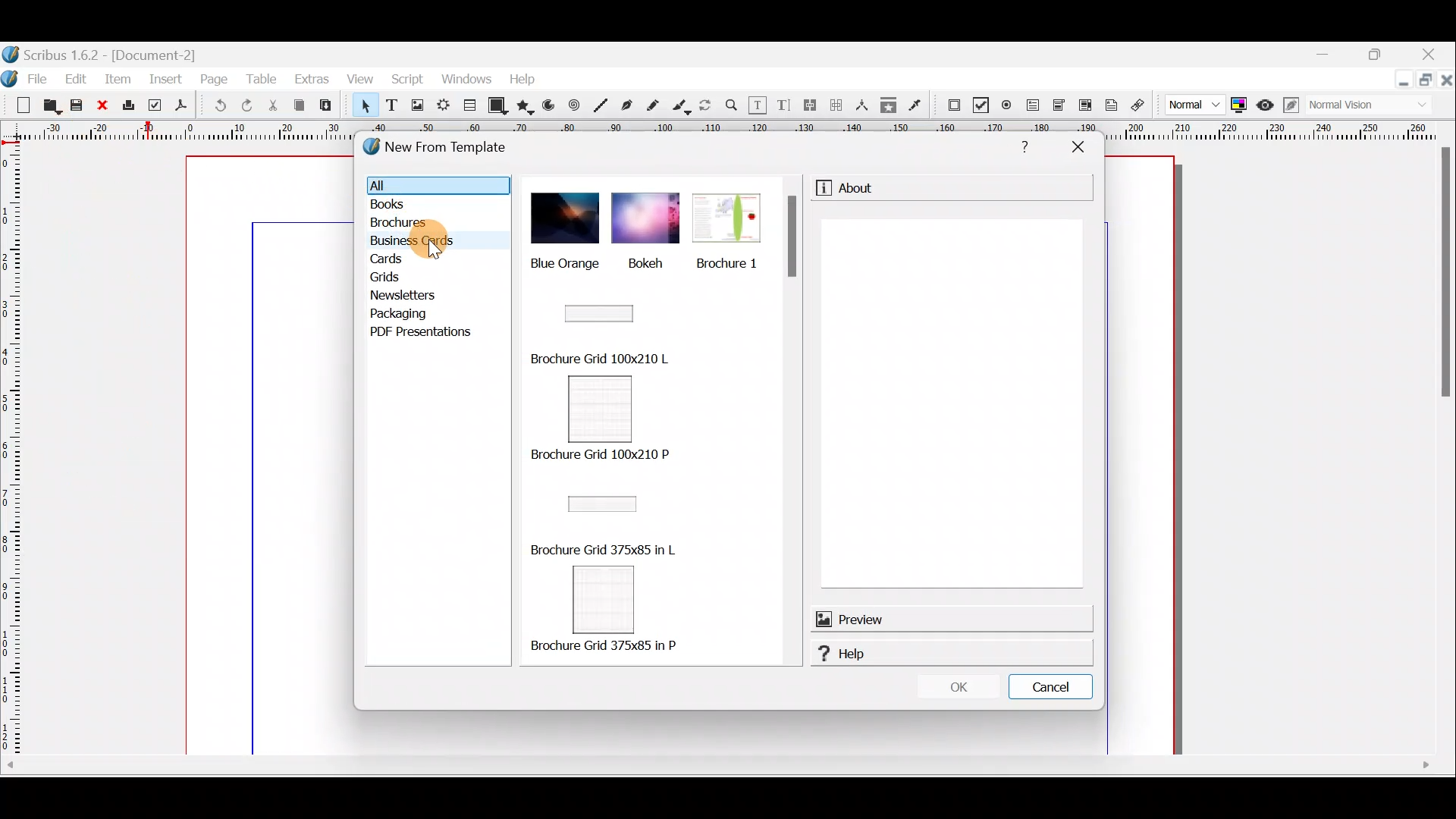  Describe the element at coordinates (600, 407) in the screenshot. I see `Brochure grid` at that location.